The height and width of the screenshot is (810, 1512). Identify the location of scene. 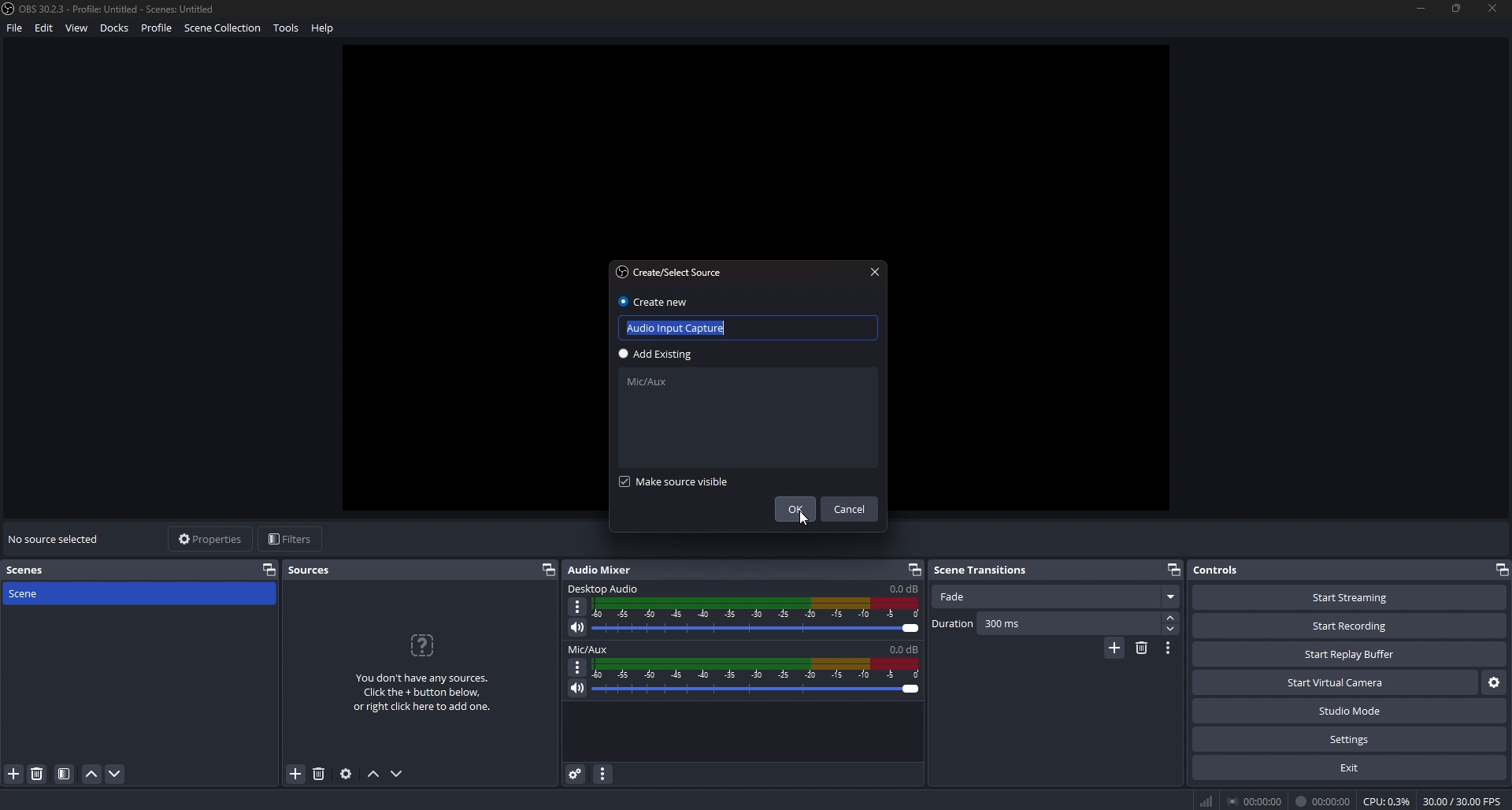
(41, 593).